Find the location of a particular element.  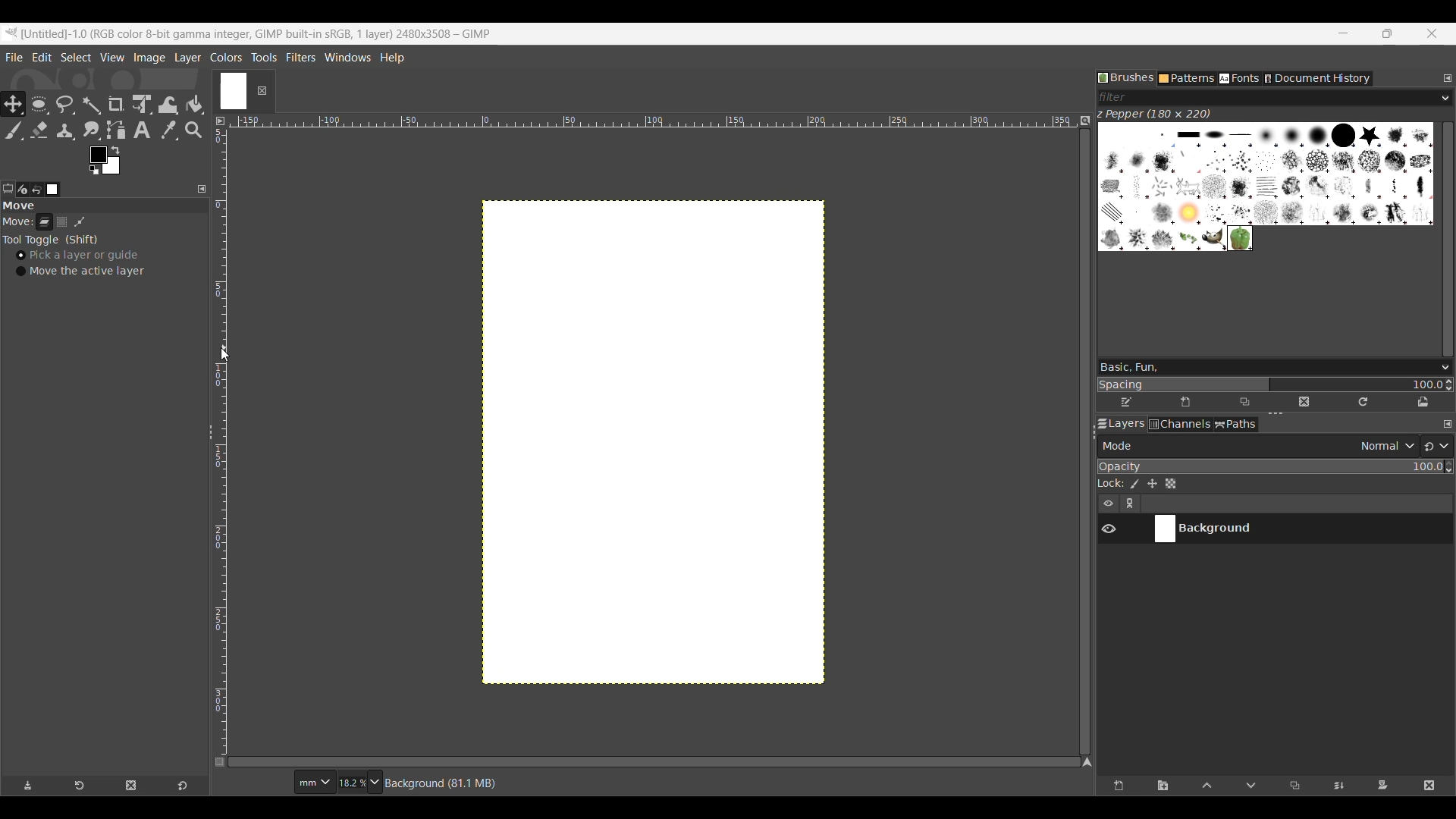

Move the active layer toggle is located at coordinates (80, 271).